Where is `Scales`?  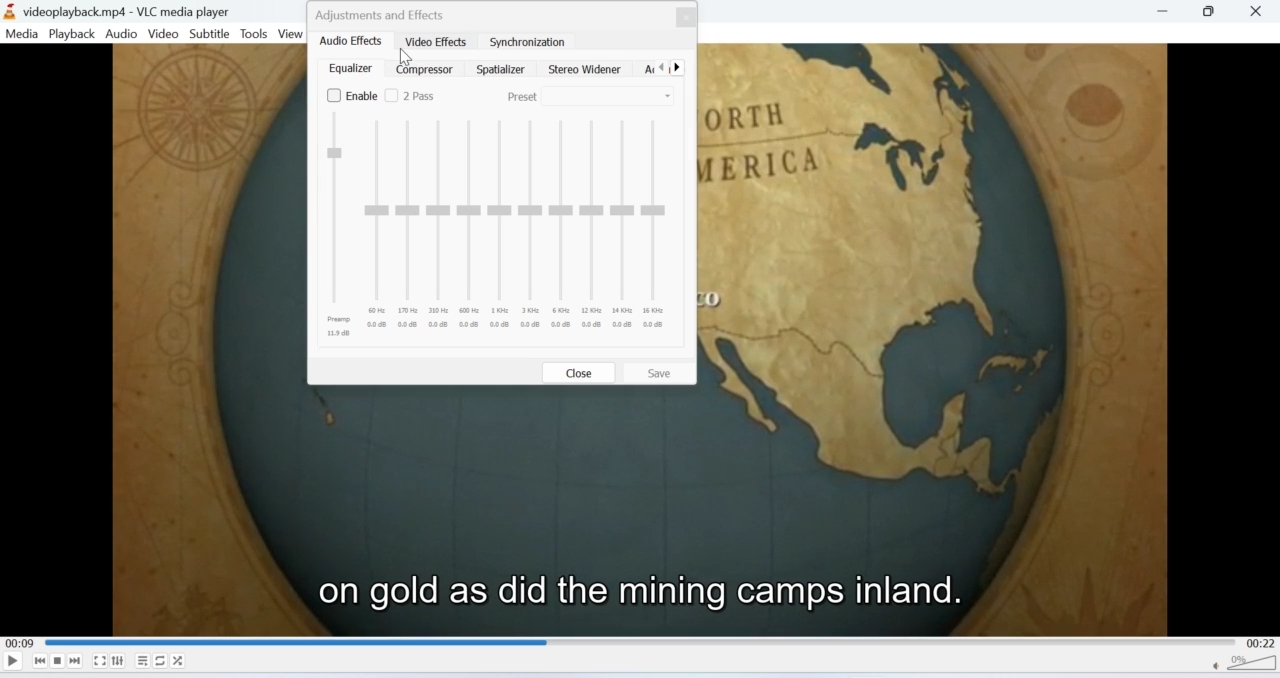
Scales is located at coordinates (502, 225).